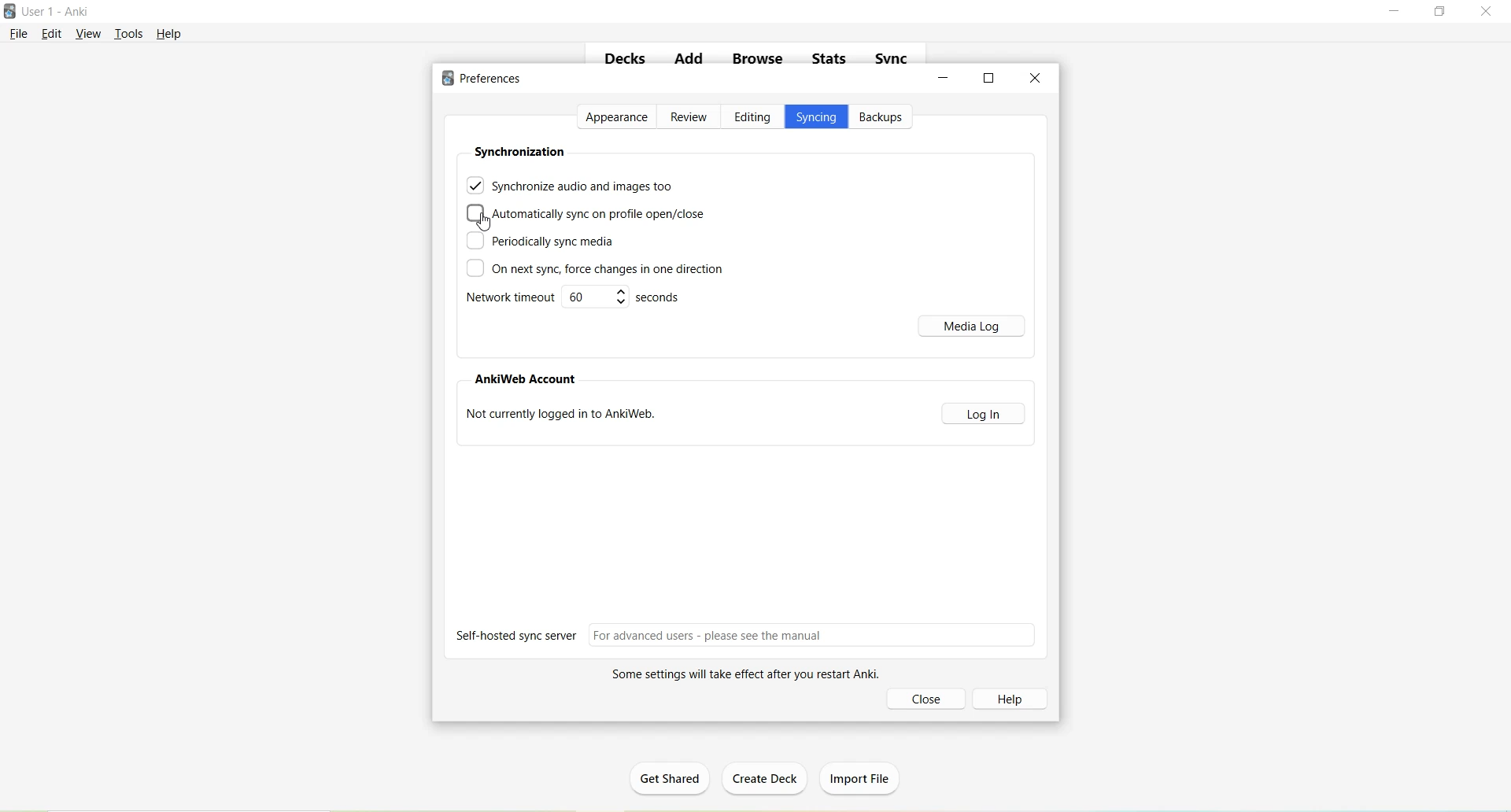  I want to click on Backups, so click(884, 117).